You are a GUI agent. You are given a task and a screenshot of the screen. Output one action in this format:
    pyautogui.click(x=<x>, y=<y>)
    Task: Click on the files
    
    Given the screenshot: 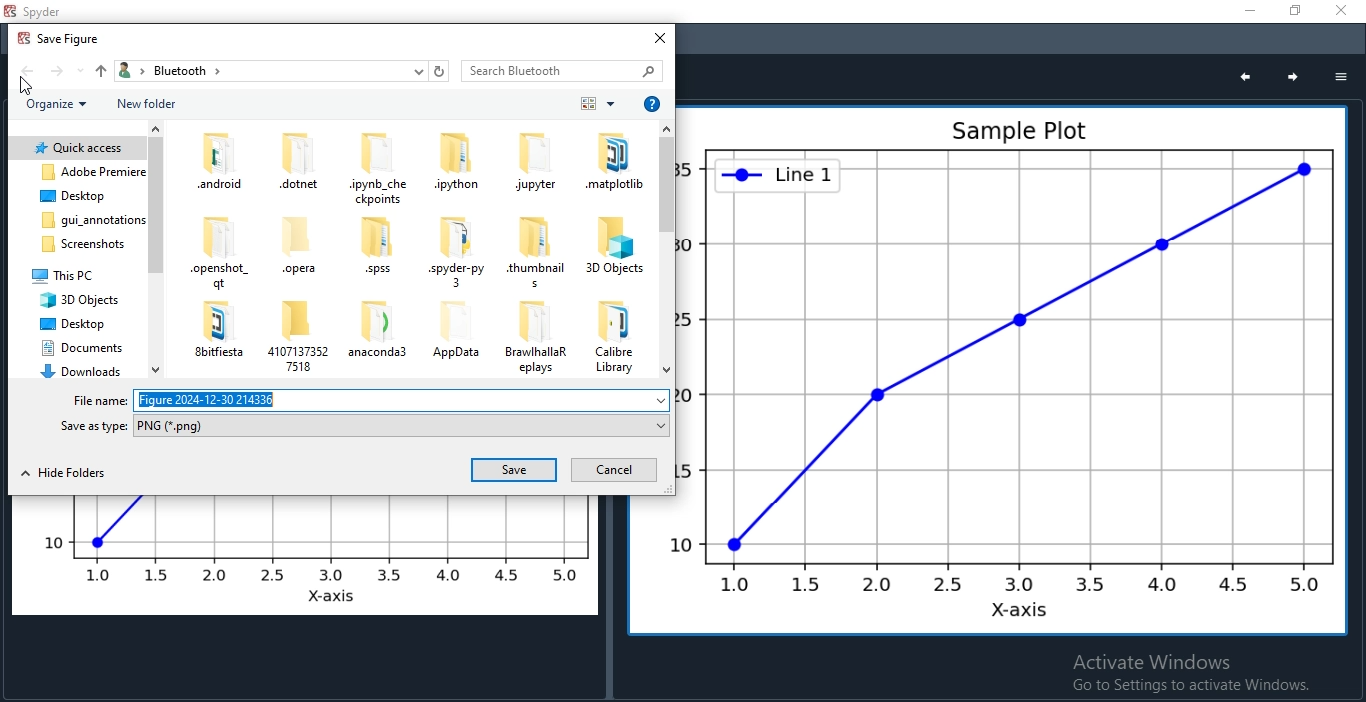 What is the action you would take?
    pyautogui.click(x=454, y=166)
    